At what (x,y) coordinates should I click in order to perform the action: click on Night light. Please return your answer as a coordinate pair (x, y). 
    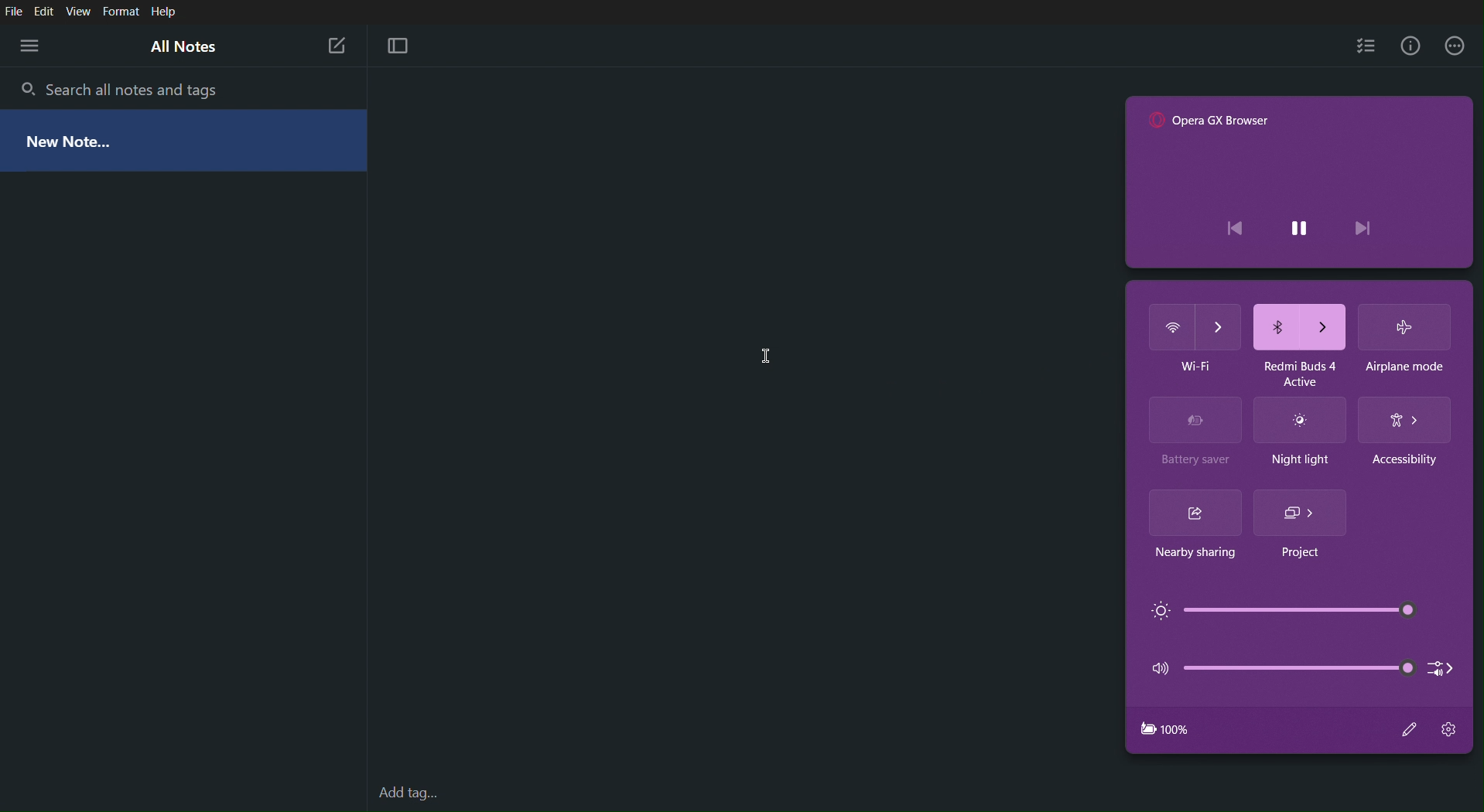
    Looking at the image, I should click on (1301, 421).